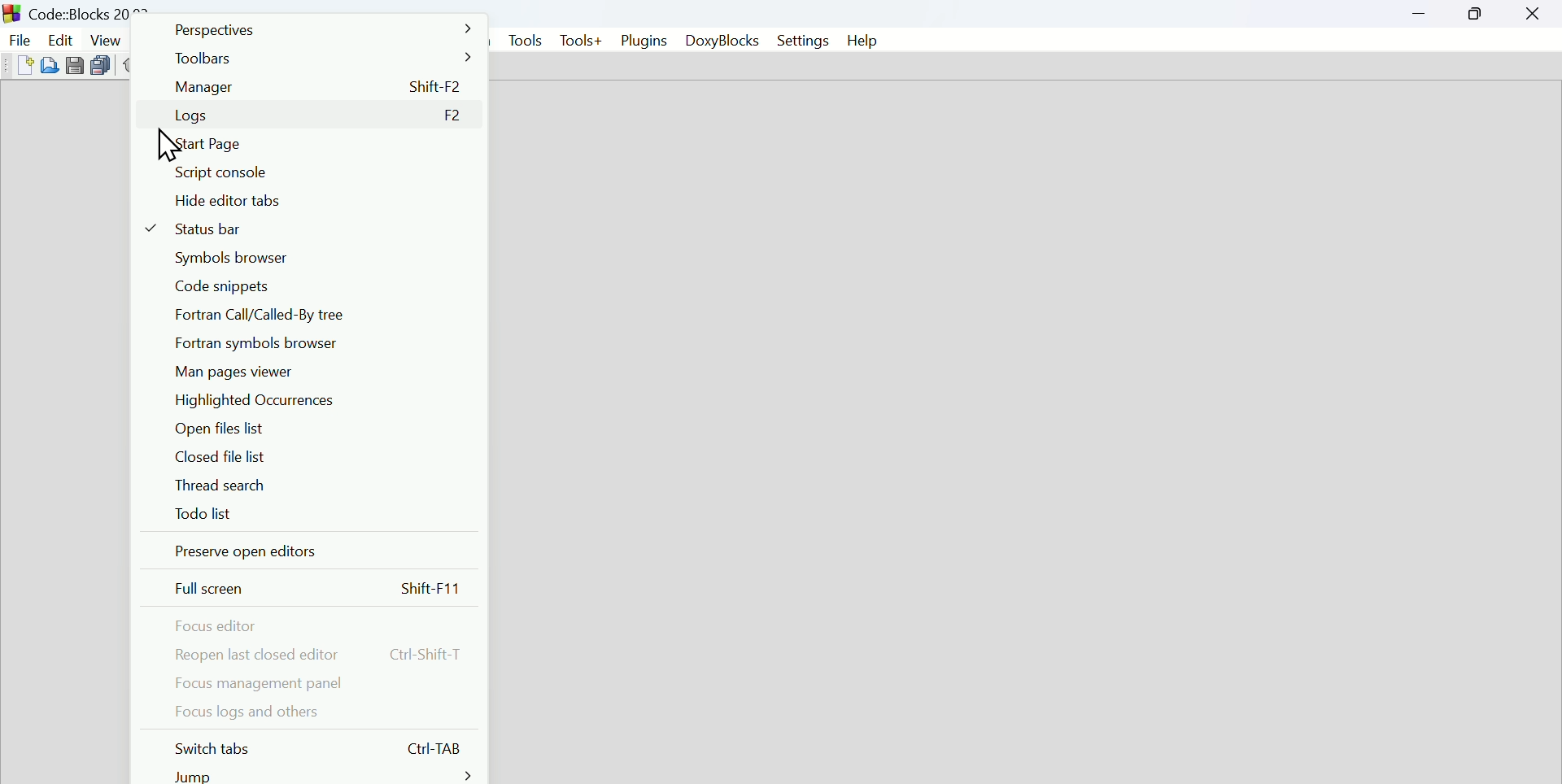 The height and width of the screenshot is (784, 1562). What do you see at coordinates (644, 40) in the screenshot?
I see `Plugins` at bounding box center [644, 40].